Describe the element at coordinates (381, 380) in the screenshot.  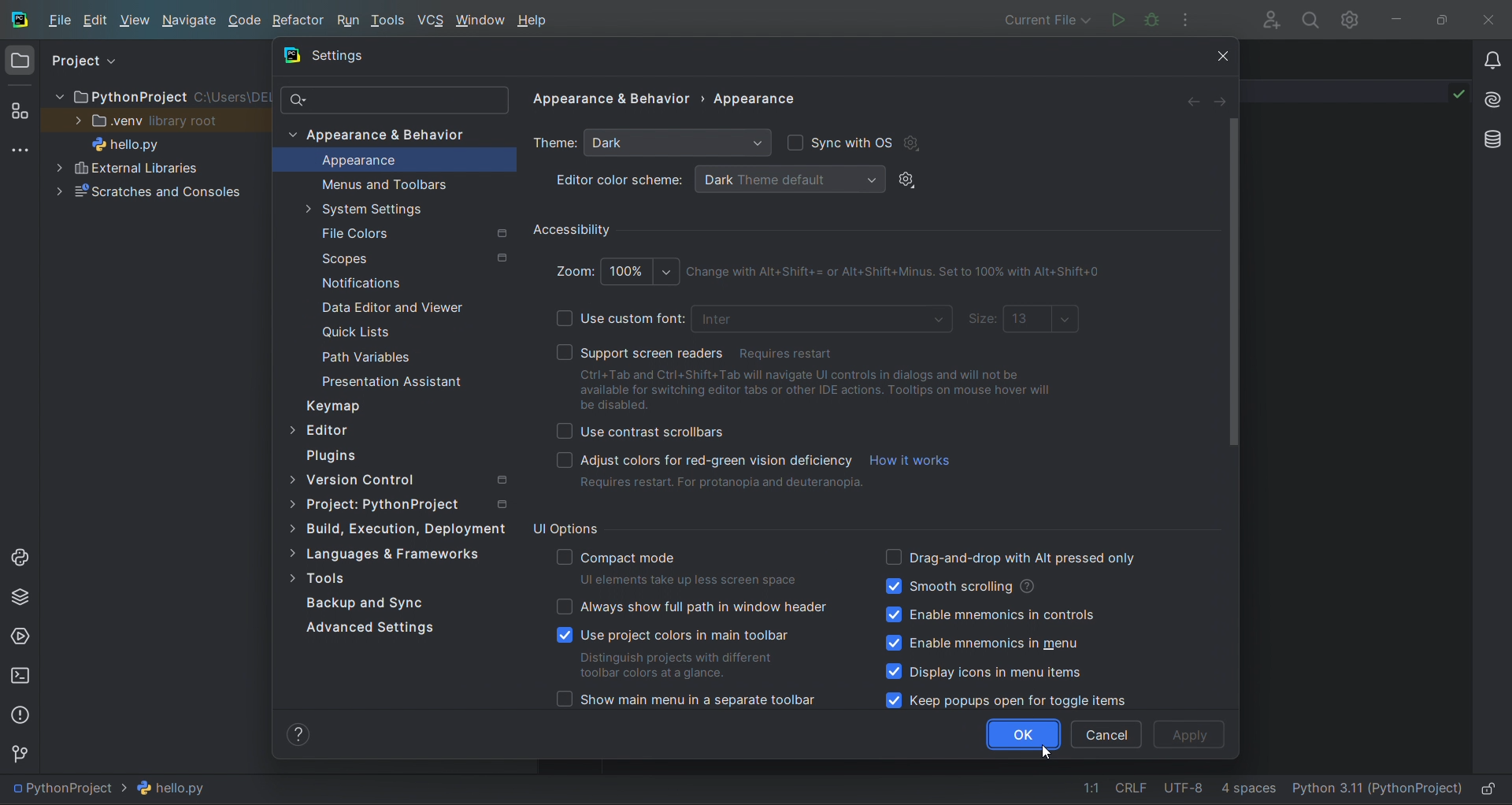
I see `Presentation Assistant` at that location.